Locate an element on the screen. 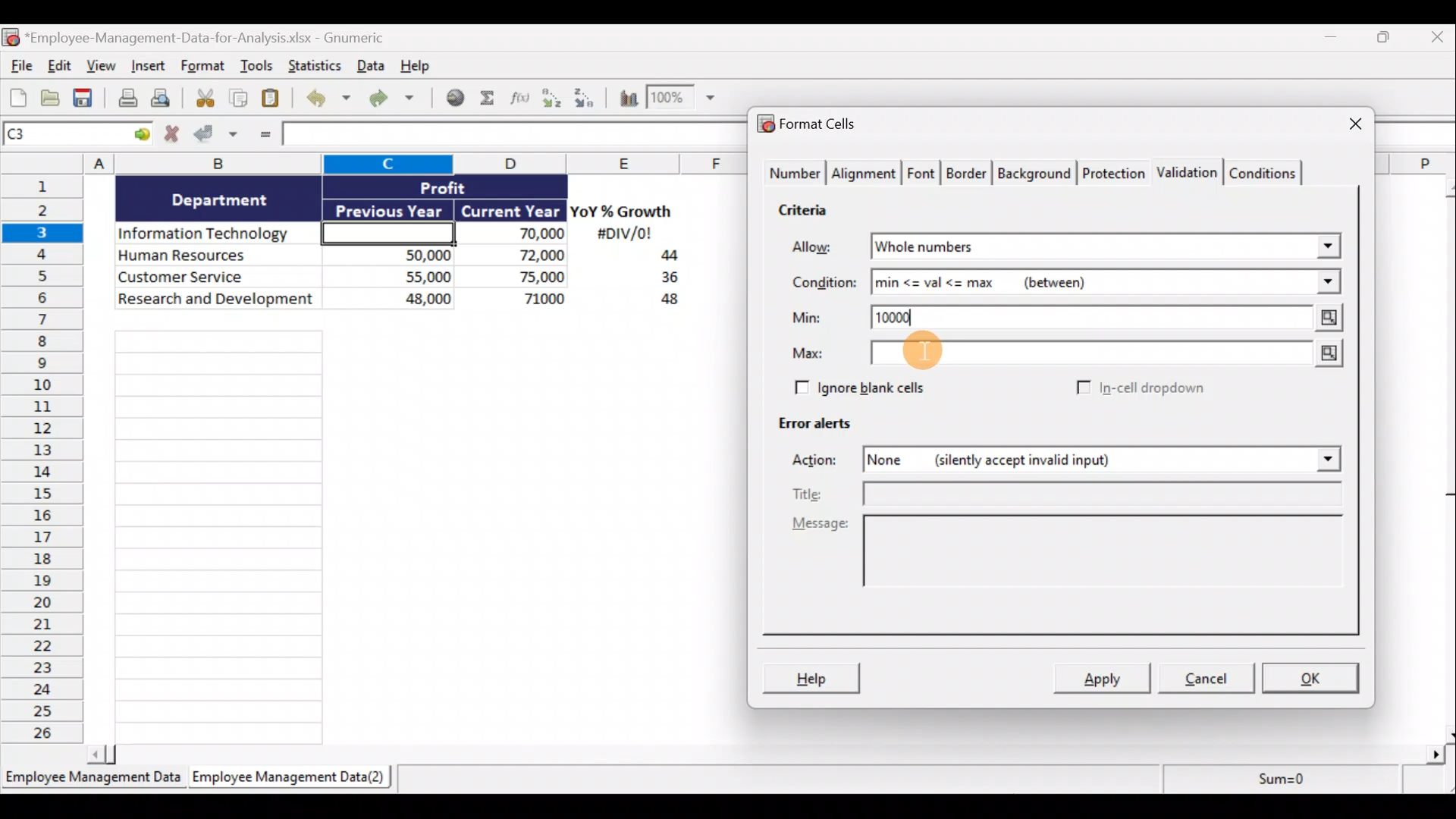  OK is located at coordinates (1312, 676).